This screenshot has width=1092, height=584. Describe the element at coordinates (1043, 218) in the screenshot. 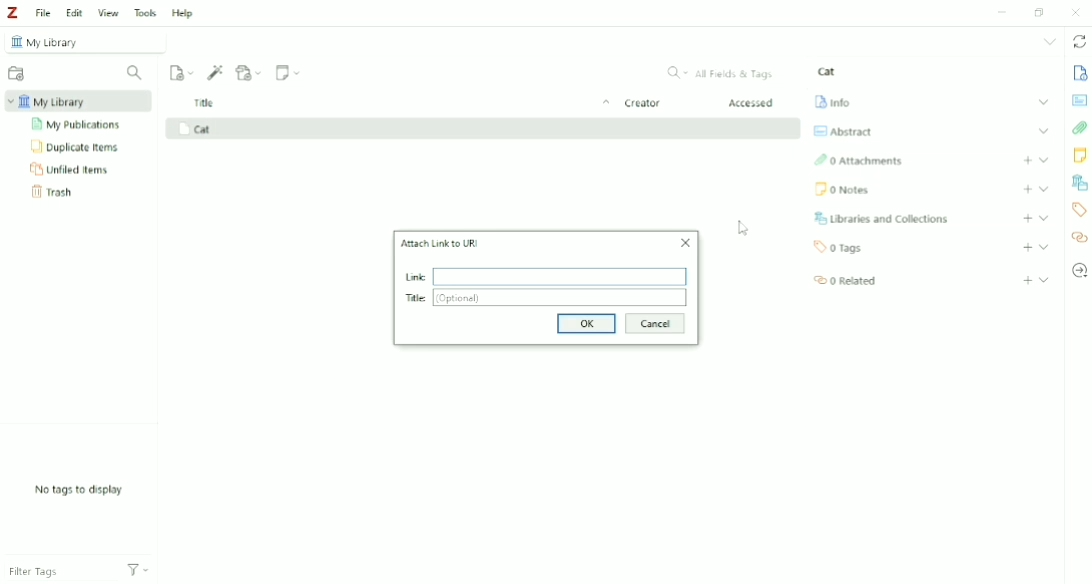

I see `Expand section` at that location.